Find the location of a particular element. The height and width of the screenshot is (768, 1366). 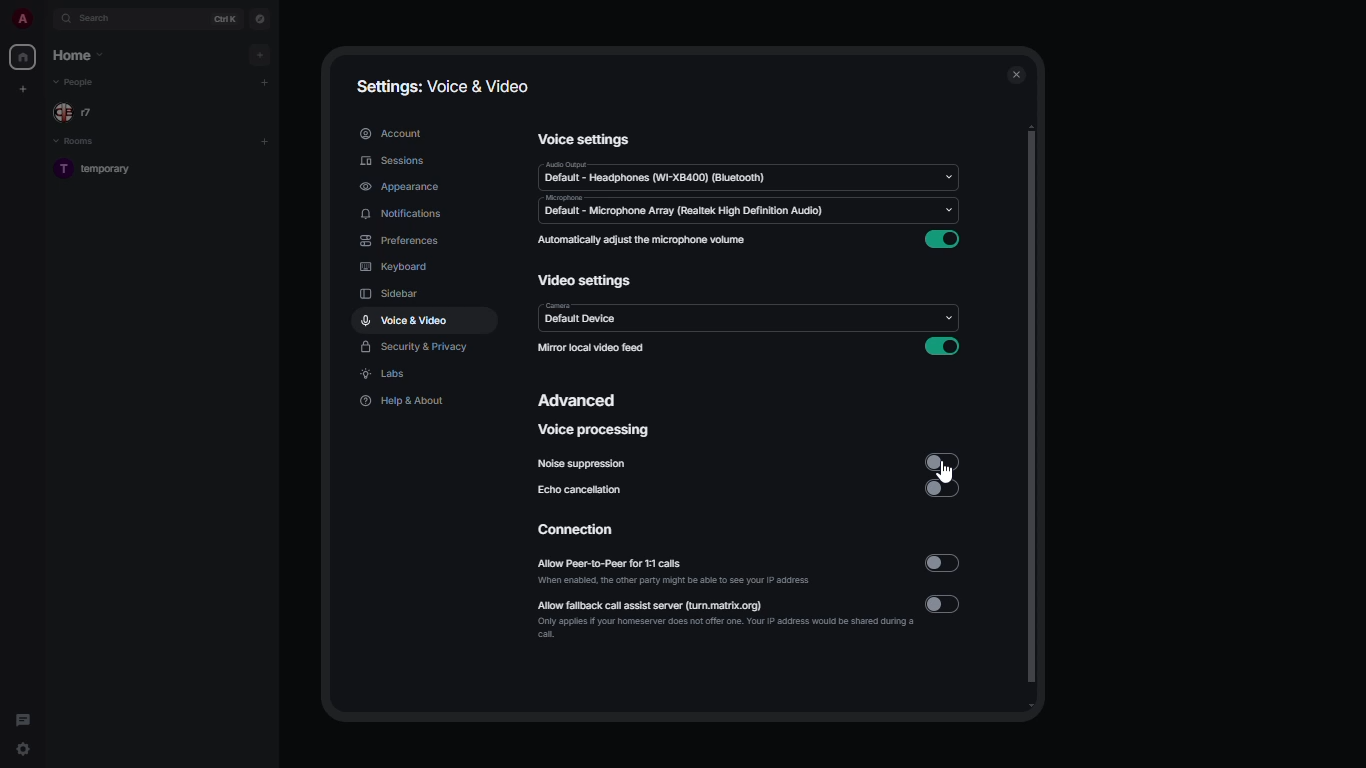

preferences is located at coordinates (399, 240).